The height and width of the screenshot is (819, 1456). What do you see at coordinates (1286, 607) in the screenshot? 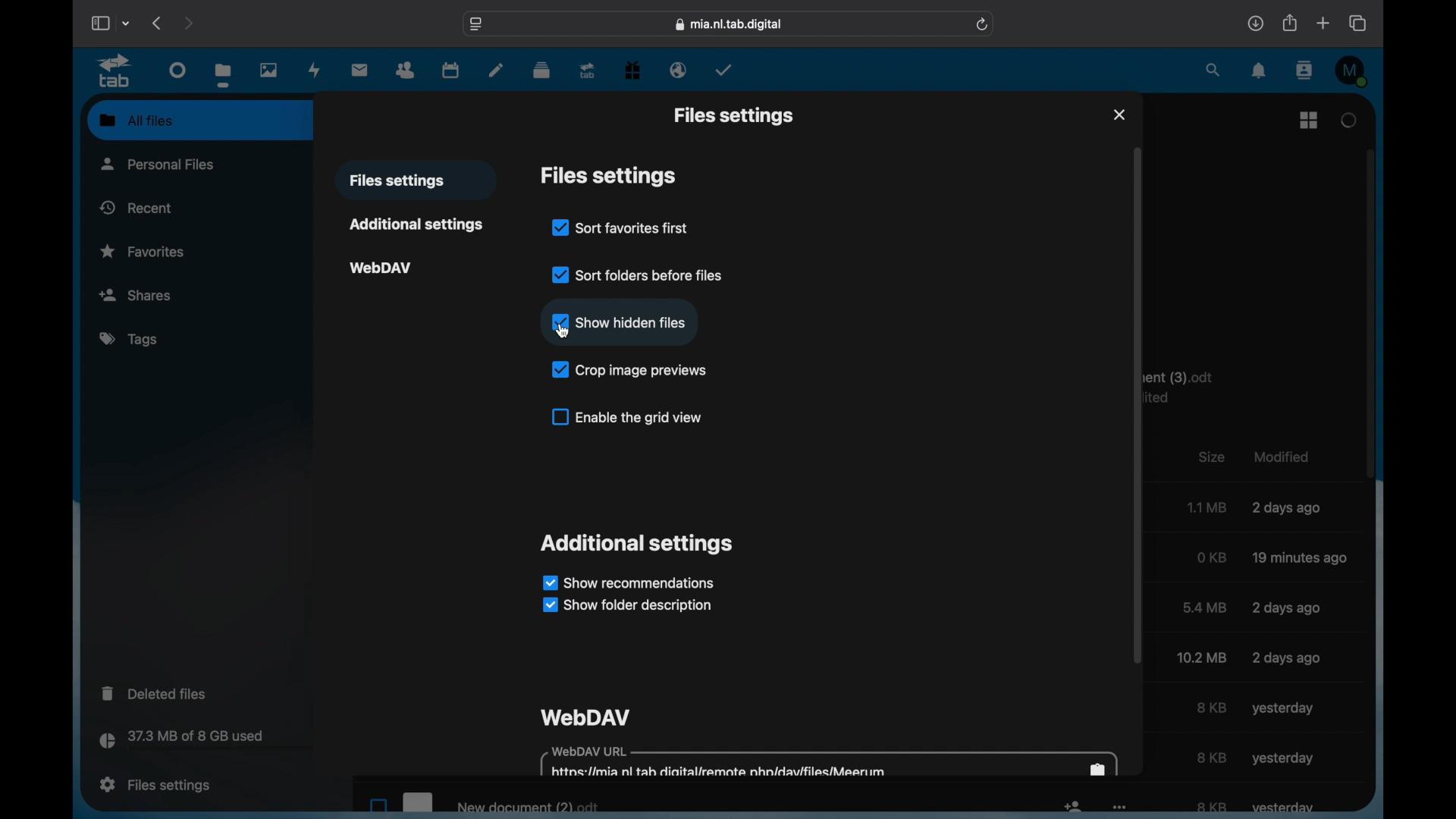
I see `modified` at bounding box center [1286, 607].